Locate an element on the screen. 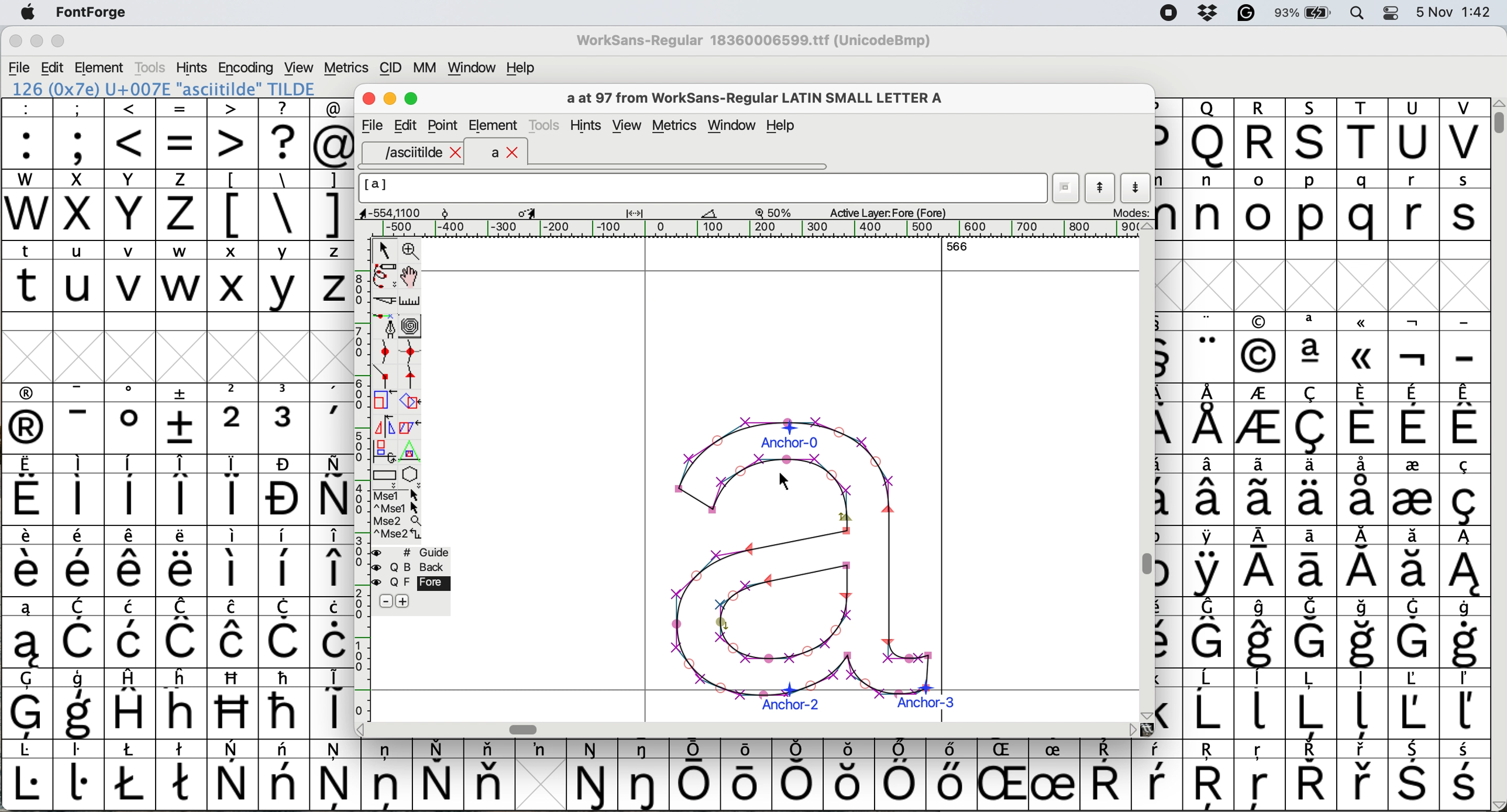  symbol is located at coordinates (25, 633).